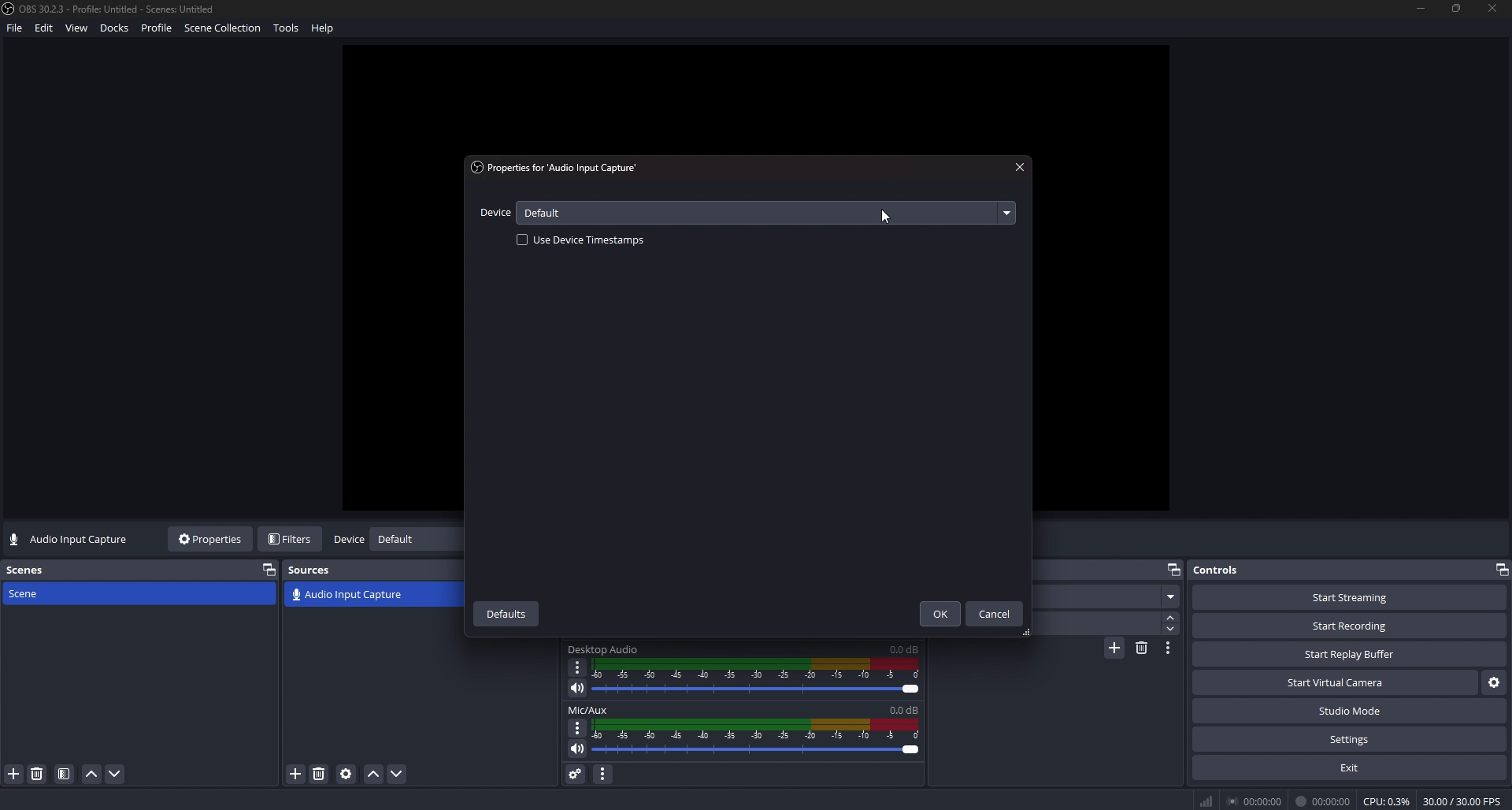 The image size is (1512, 810). I want to click on close, so click(1020, 167).